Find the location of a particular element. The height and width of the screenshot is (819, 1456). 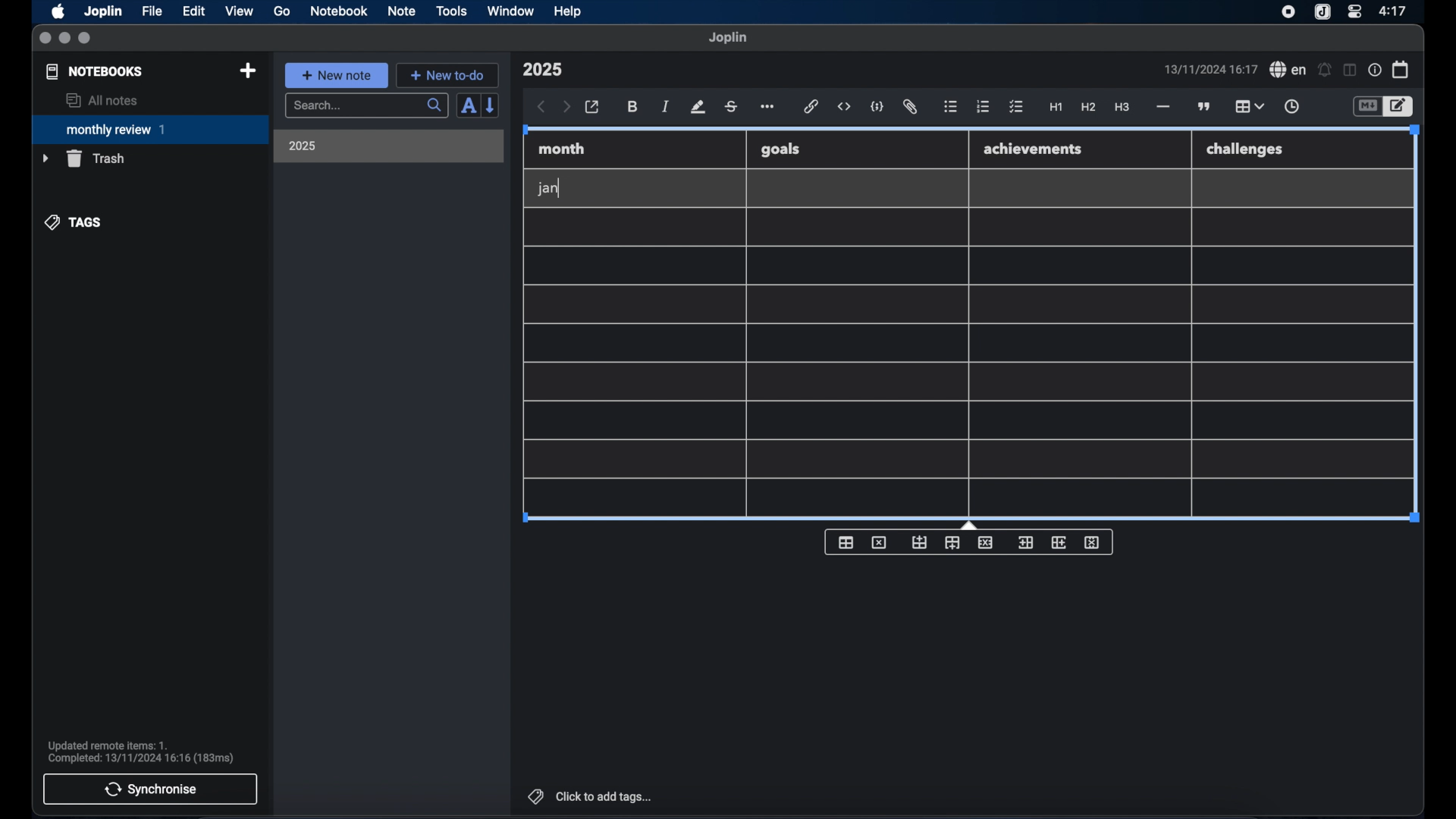

window is located at coordinates (511, 11).